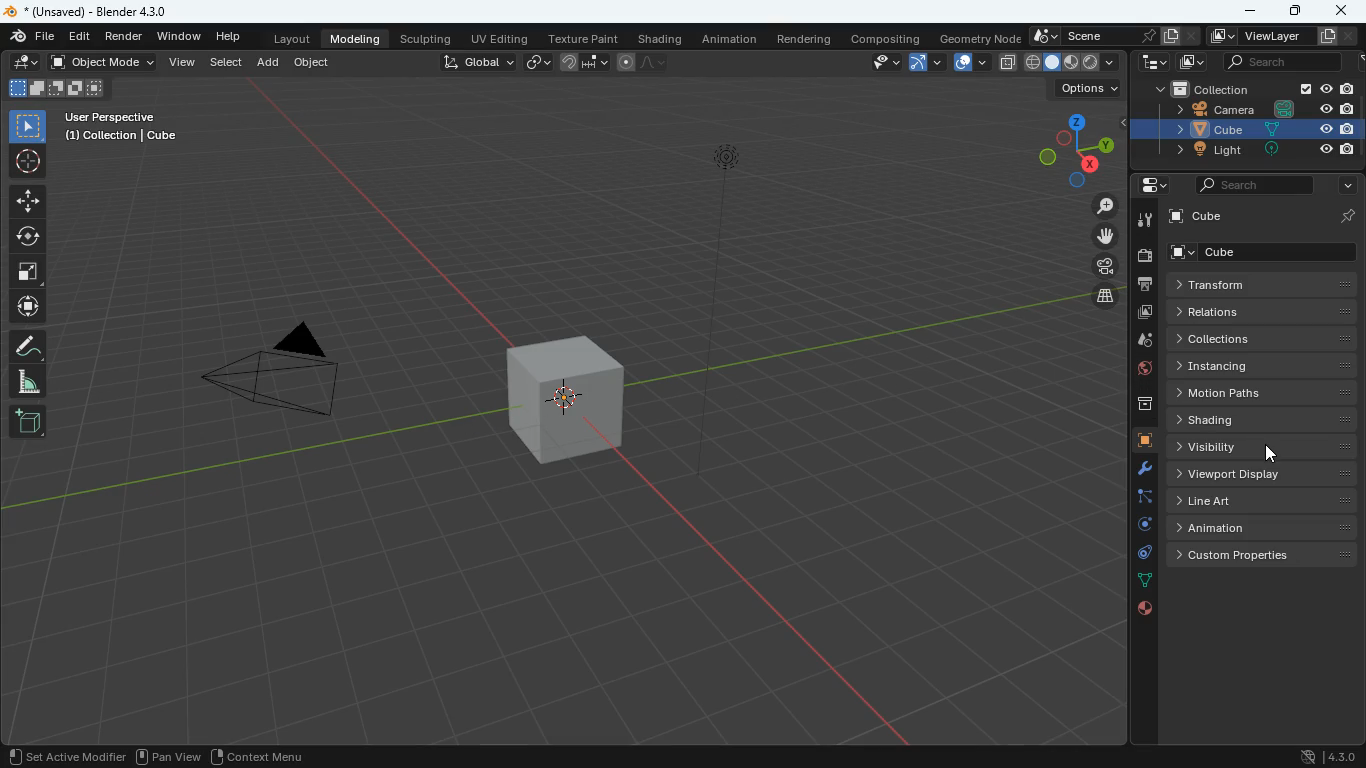  What do you see at coordinates (1268, 312) in the screenshot?
I see `relations` at bounding box center [1268, 312].